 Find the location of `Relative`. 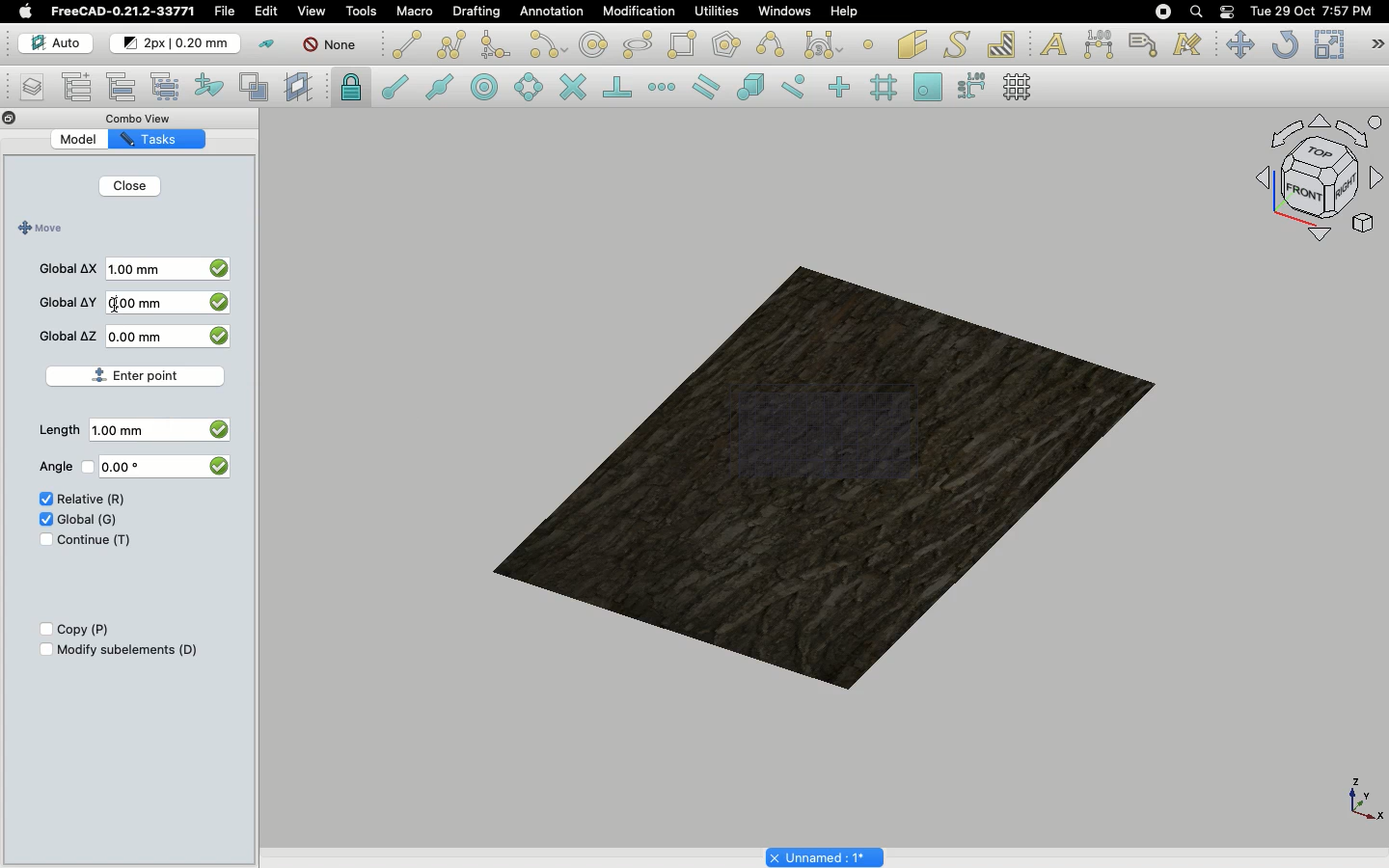

Relative is located at coordinates (92, 500).